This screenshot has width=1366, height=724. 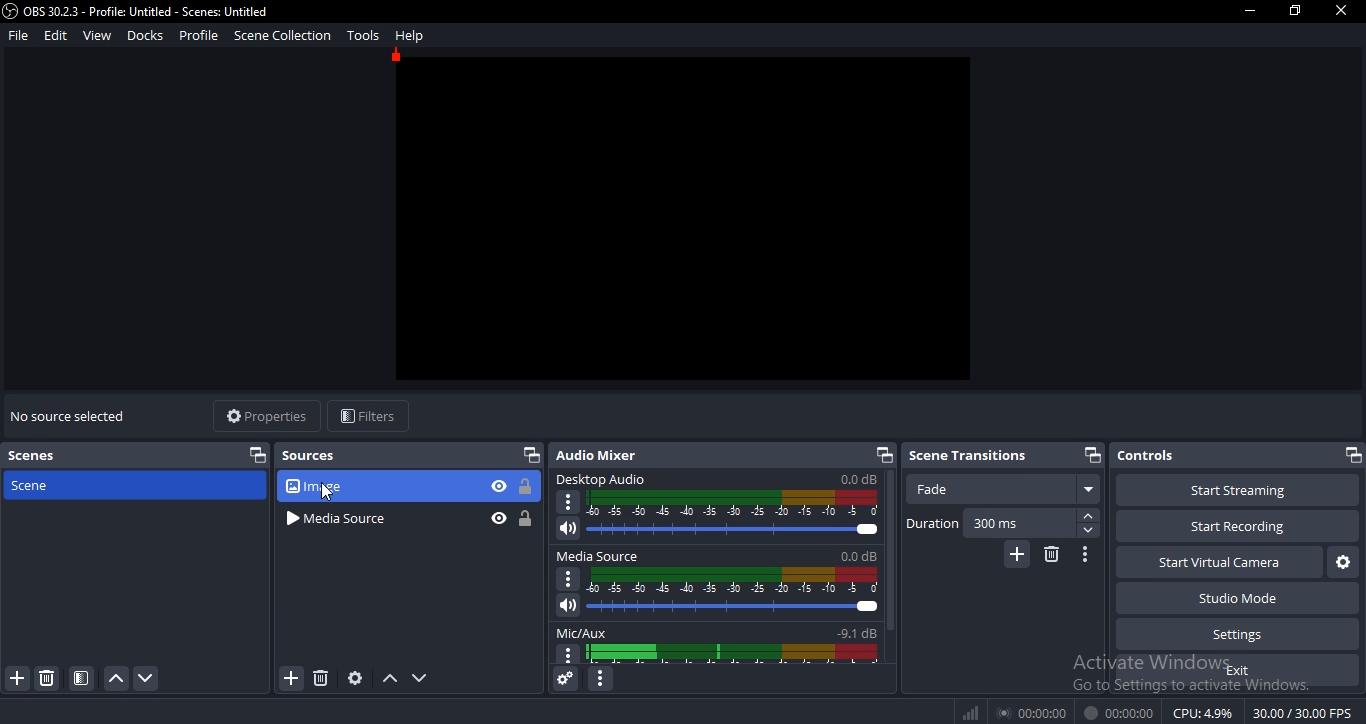 What do you see at coordinates (96, 34) in the screenshot?
I see `view` at bounding box center [96, 34].